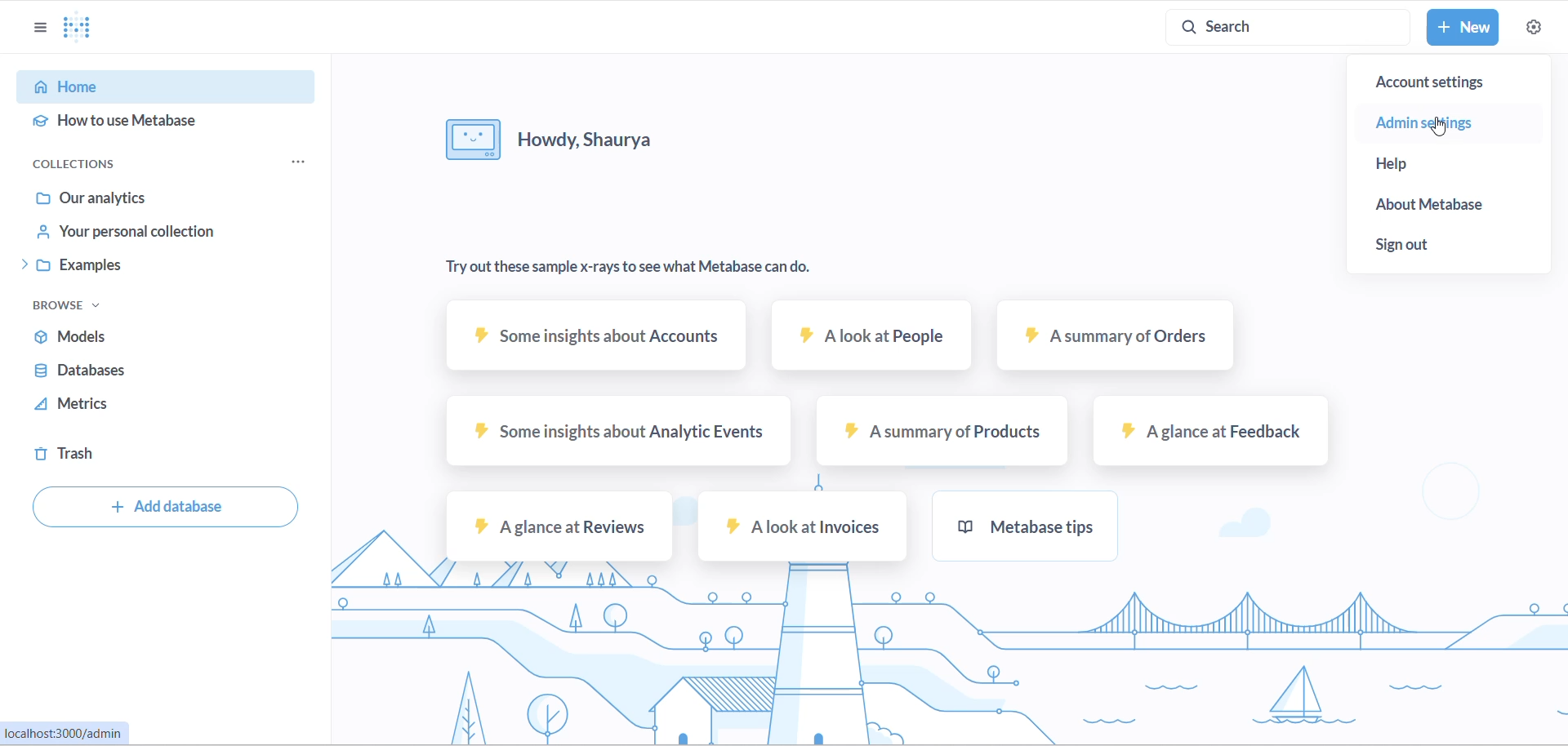 The width and height of the screenshot is (1568, 746). Describe the element at coordinates (144, 87) in the screenshot. I see `HOME` at that location.